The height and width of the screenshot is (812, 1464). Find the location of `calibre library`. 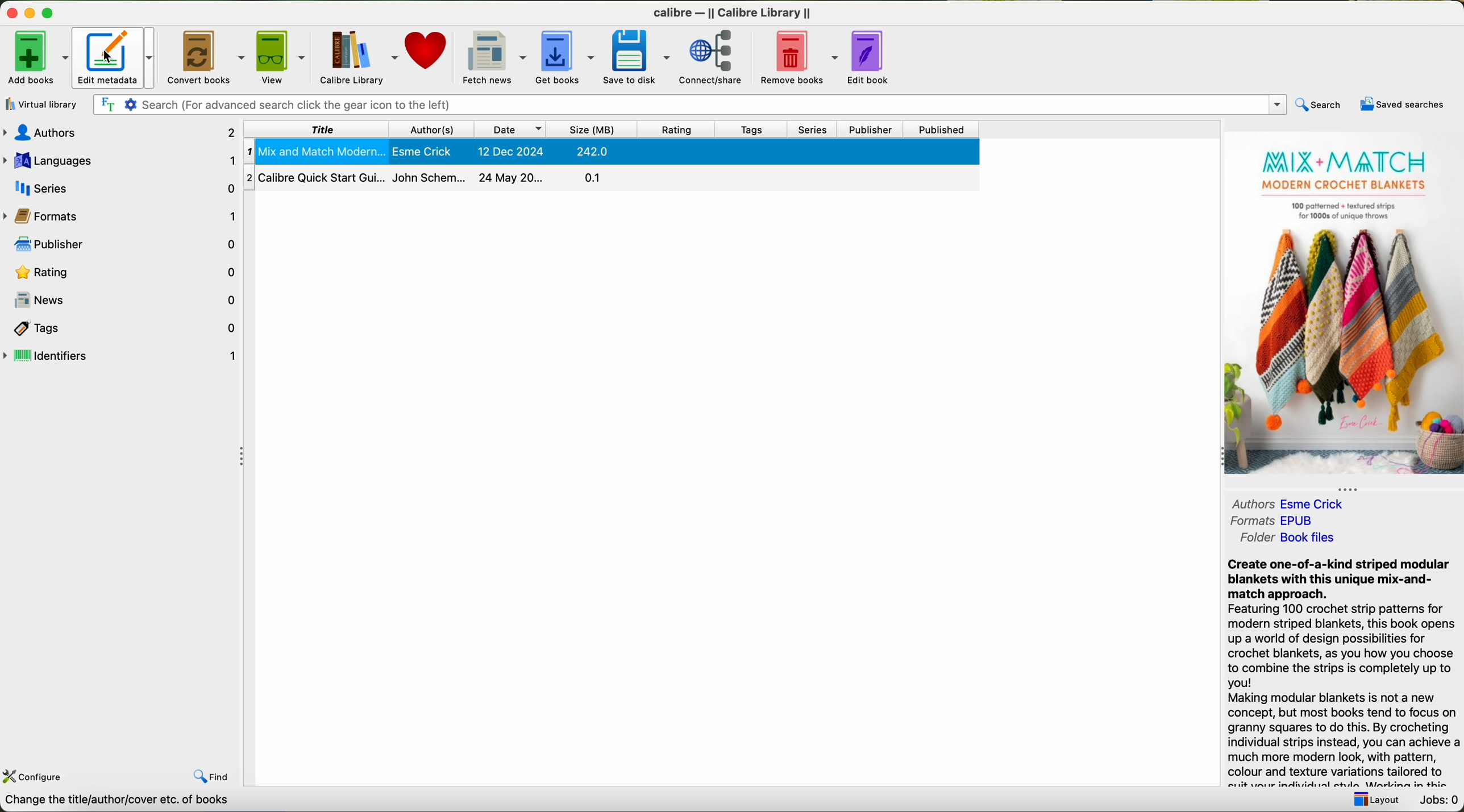

calibre library is located at coordinates (357, 56).